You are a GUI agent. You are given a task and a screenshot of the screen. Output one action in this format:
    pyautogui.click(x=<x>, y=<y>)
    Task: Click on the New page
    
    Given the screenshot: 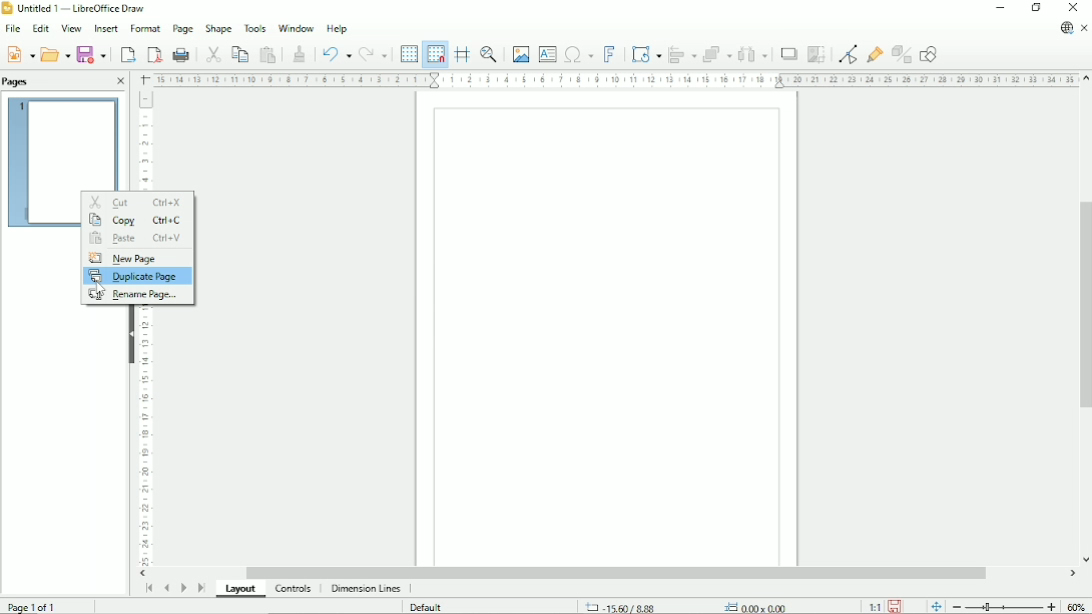 What is the action you would take?
    pyautogui.click(x=123, y=258)
    